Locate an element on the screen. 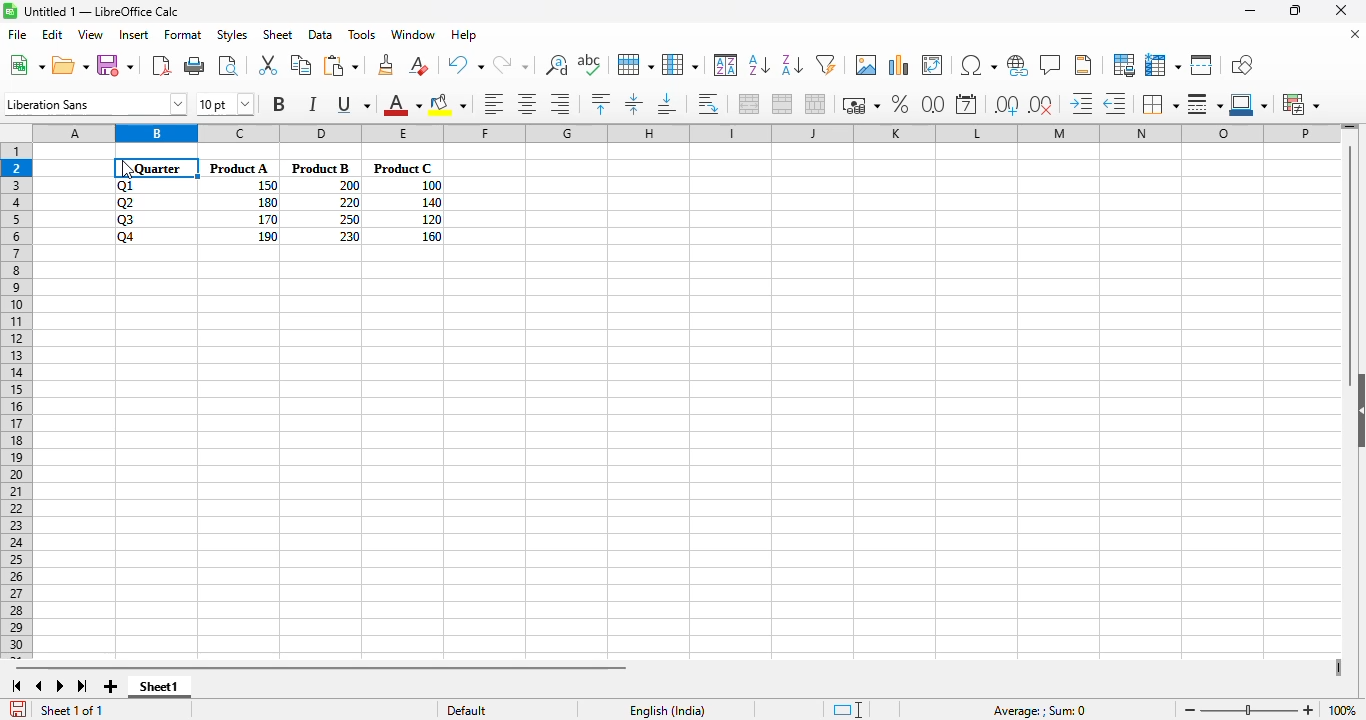  Product A is located at coordinates (239, 168).